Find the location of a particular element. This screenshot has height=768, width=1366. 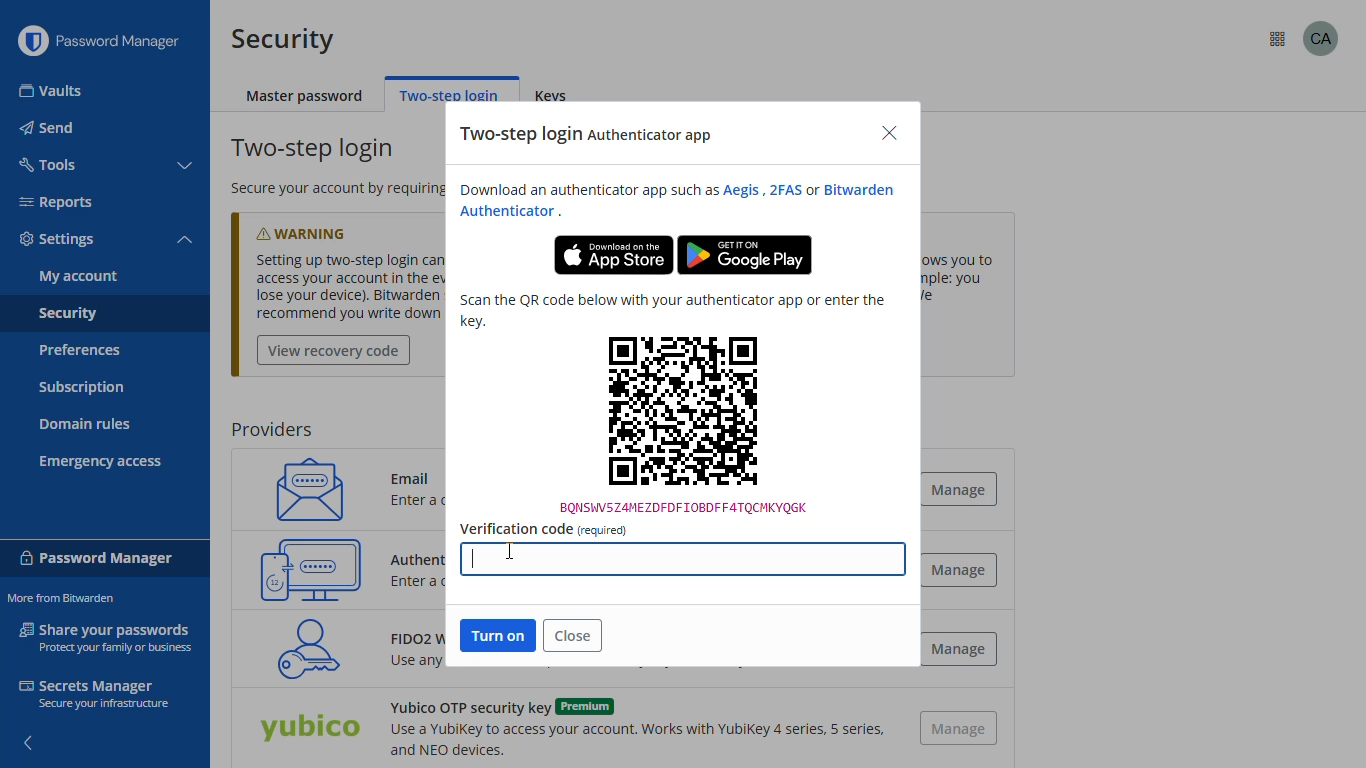

download on the app store is located at coordinates (613, 255).